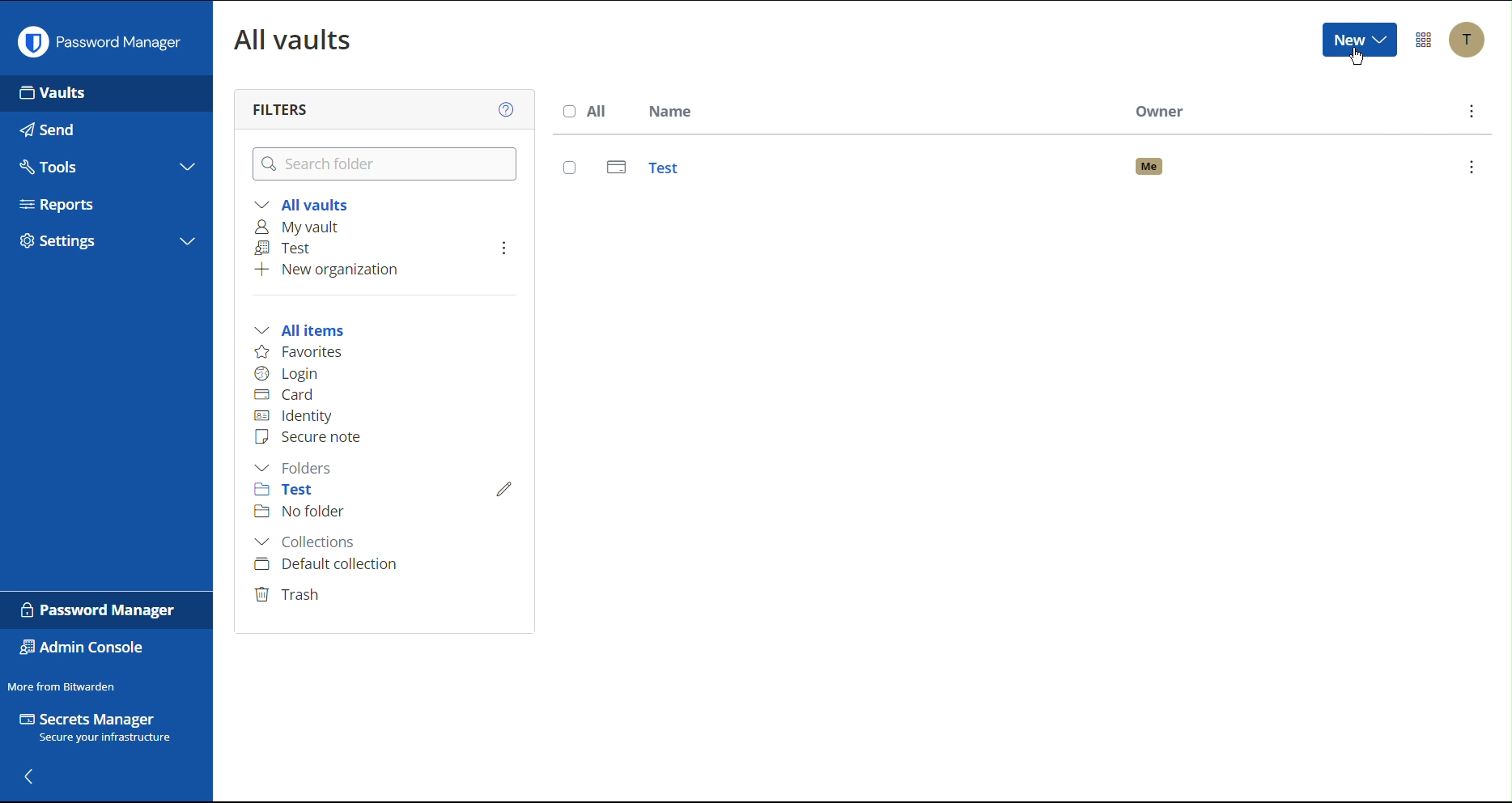 Image resolution: width=1512 pixels, height=803 pixels. What do you see at coordinates (300, 352) in the screenshot?
I see `Favorites` at bounding box center [300, 352].